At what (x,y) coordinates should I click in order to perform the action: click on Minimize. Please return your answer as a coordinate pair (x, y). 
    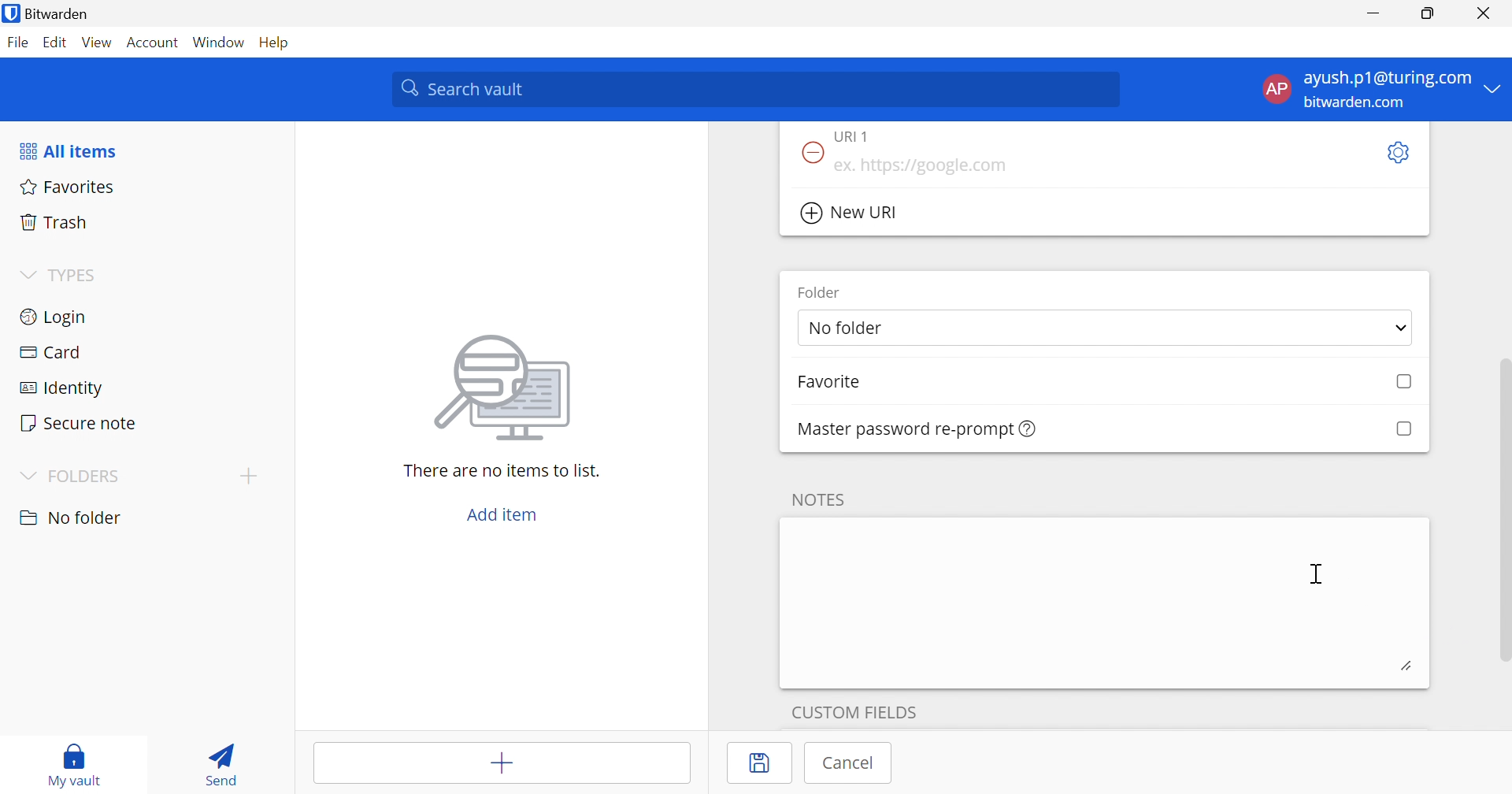
    Looking at the image, I should click on (1373, 14).